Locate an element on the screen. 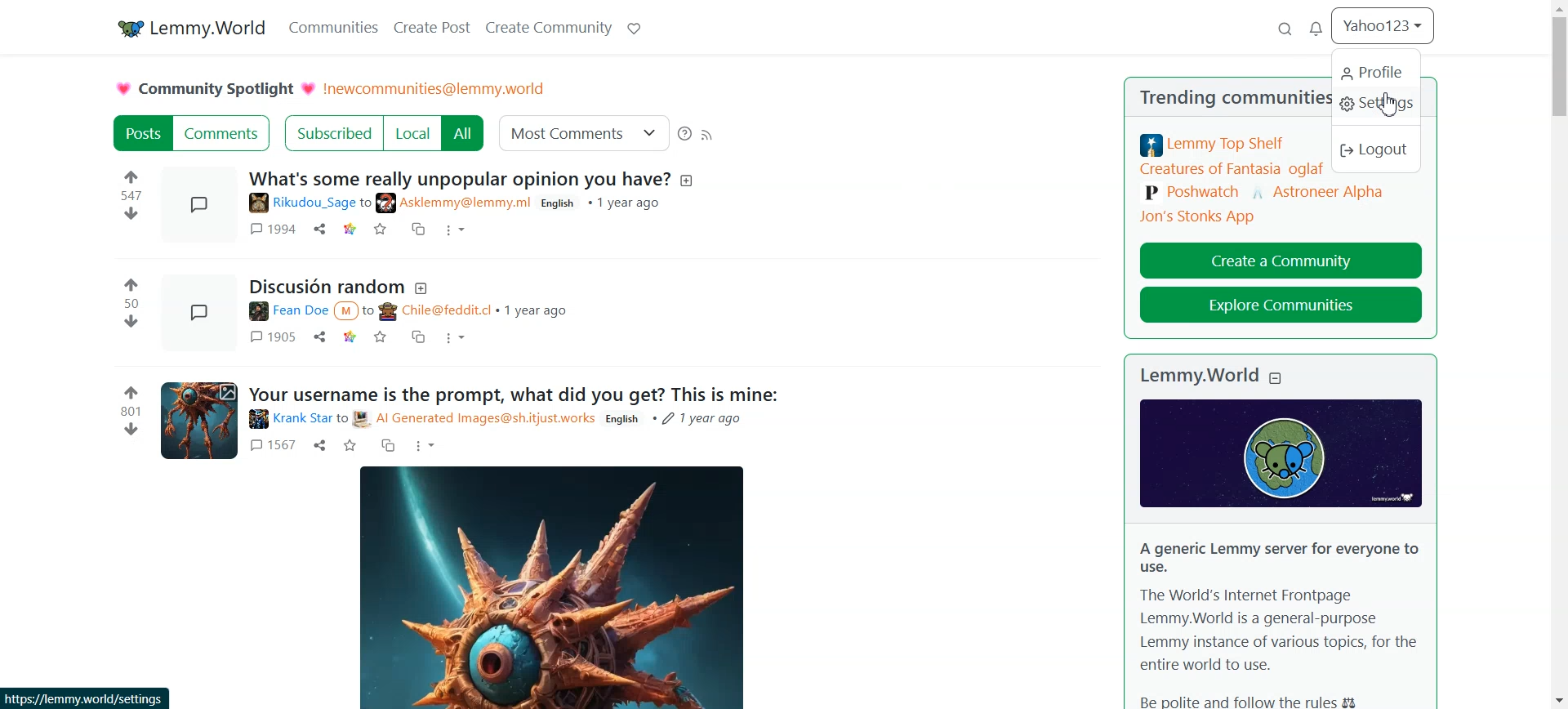 The image size is (1568, 709). downvote is located at coordinates (131, 430).